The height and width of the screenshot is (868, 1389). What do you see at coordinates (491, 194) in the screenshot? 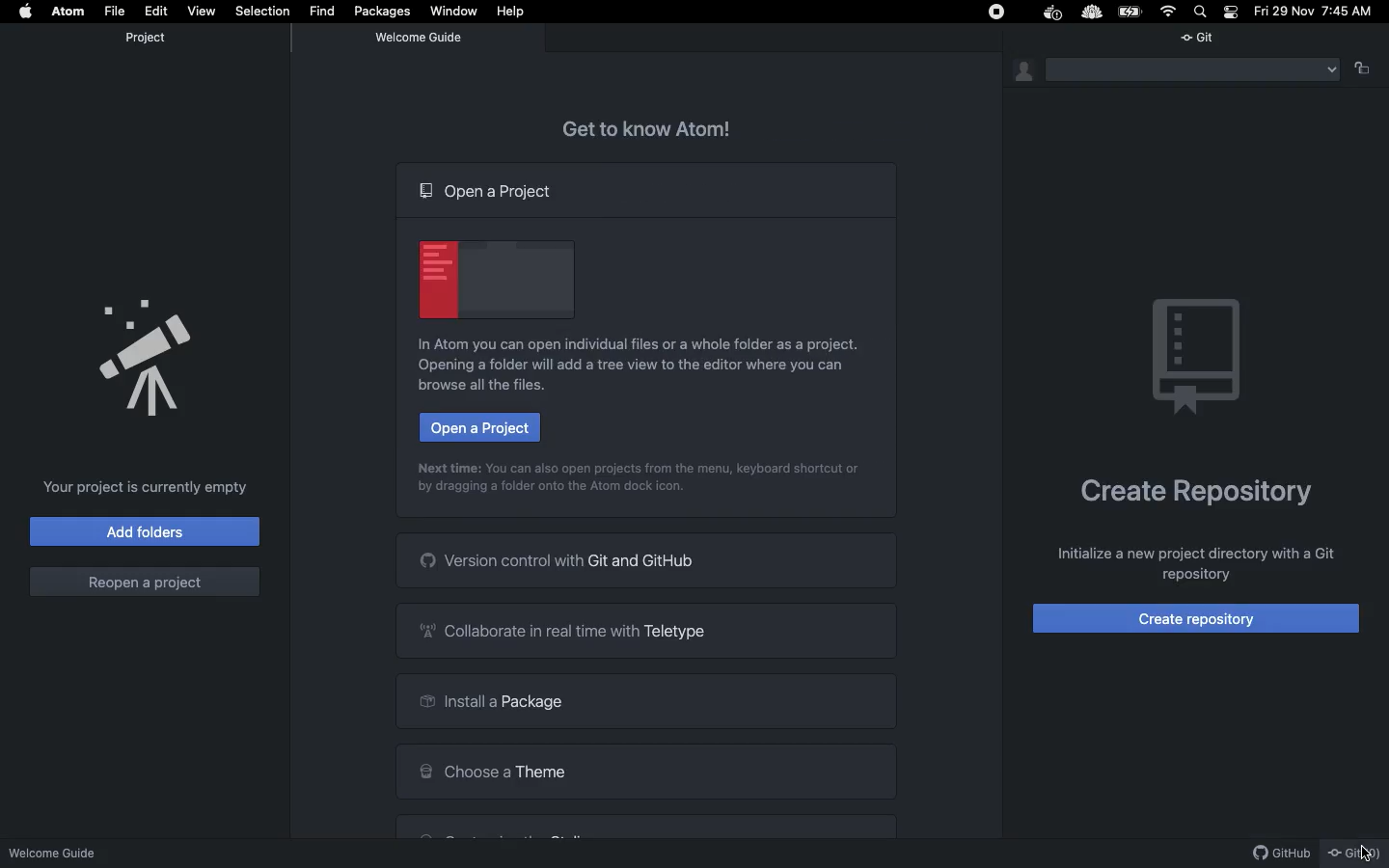
I see `Open a project` at bounding box center [491, 194].